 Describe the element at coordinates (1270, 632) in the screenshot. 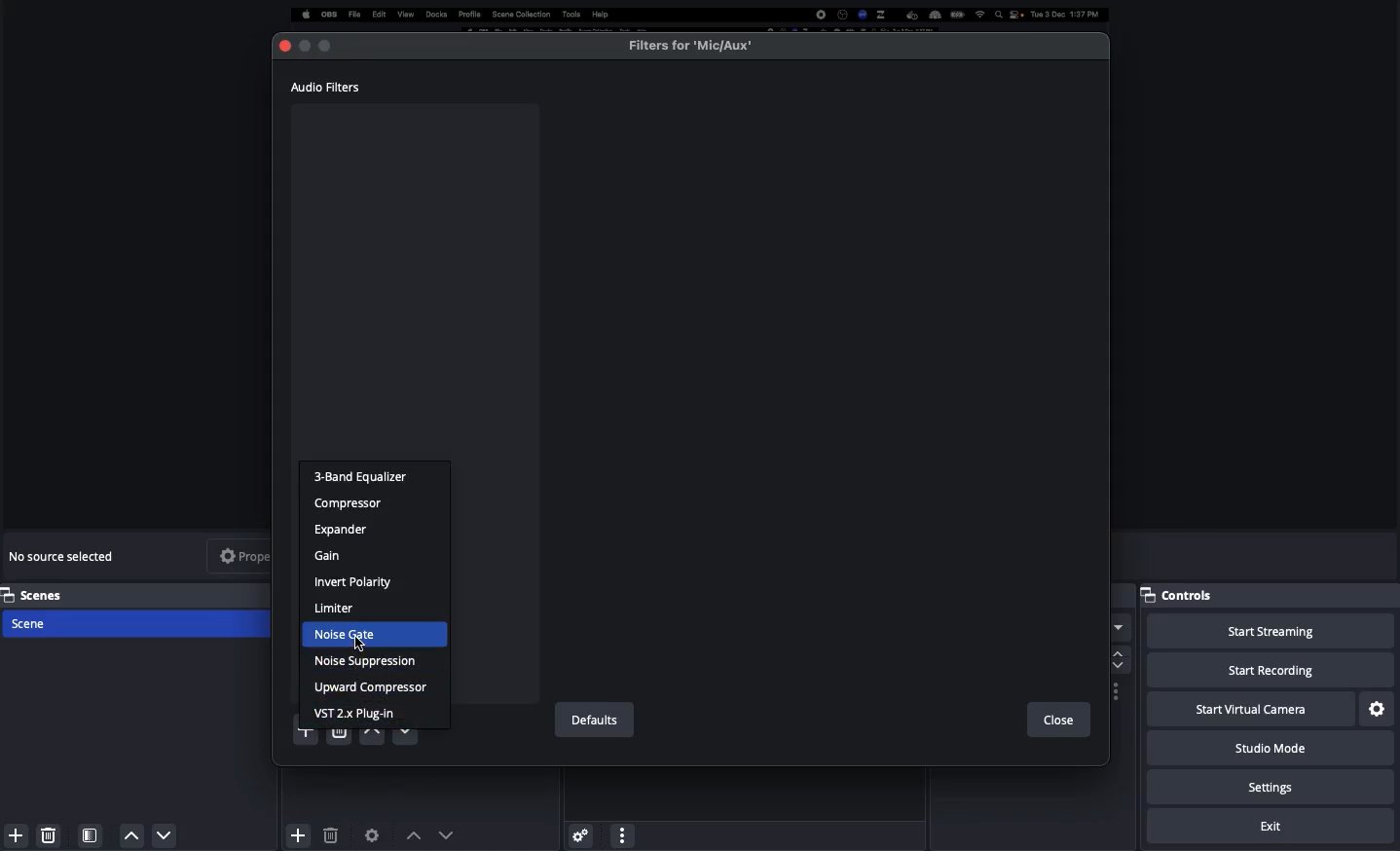

I see `Start streaming` at that location.